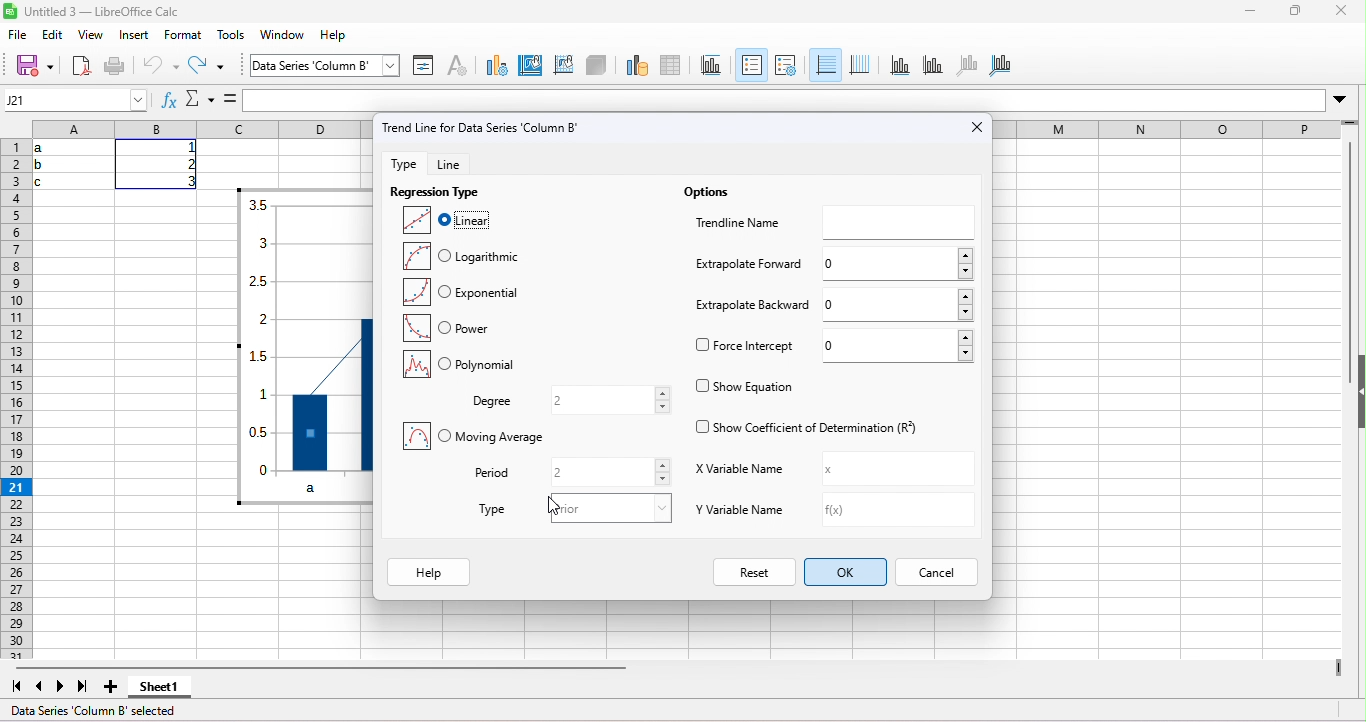  What do you see at coordinates (939, 65) in the screenshot?
I see `y axis` at bounding box center [939, 65].